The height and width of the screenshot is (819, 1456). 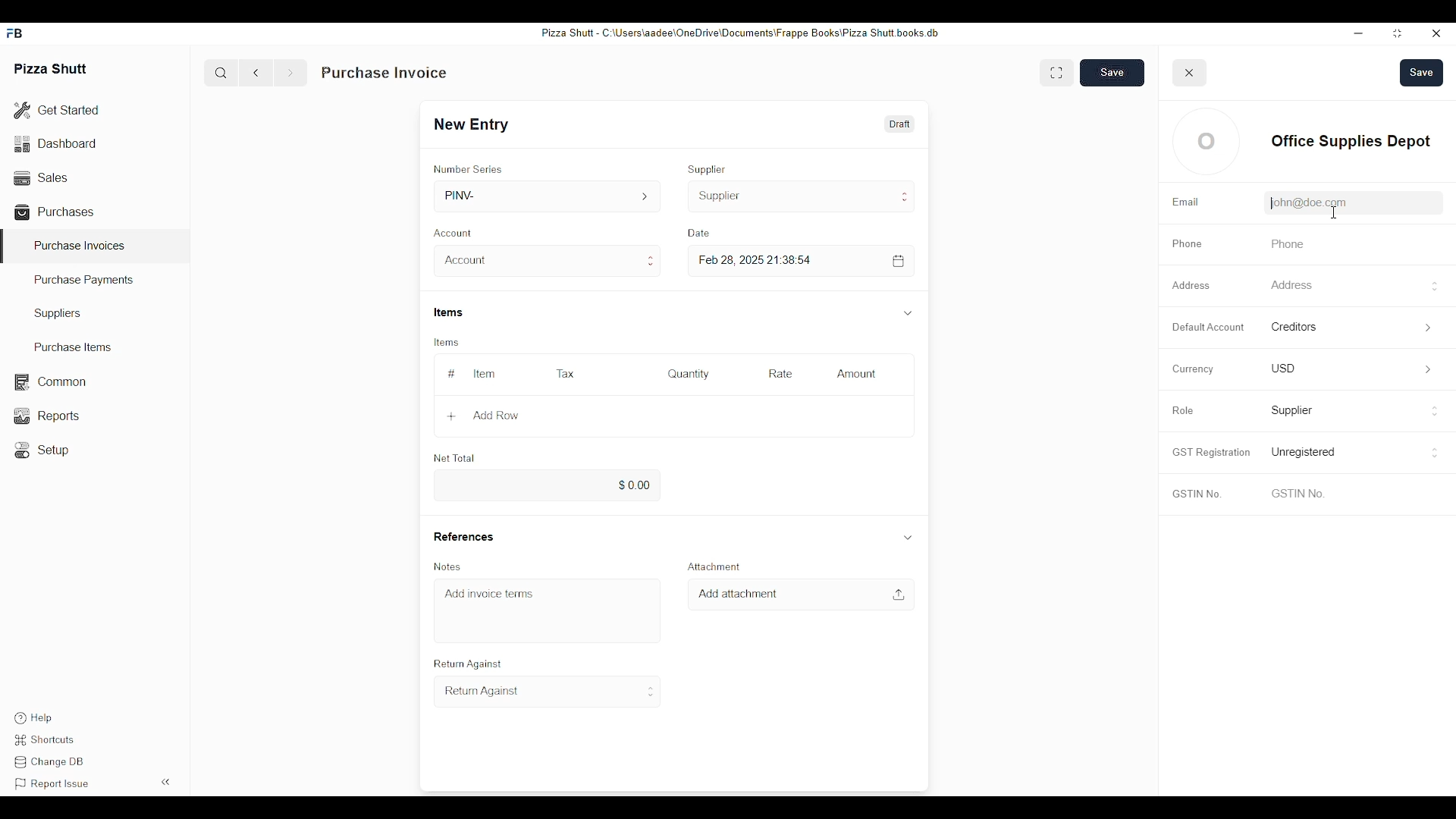 I want to click on Purchase Payments, so click(x=85, y=281).